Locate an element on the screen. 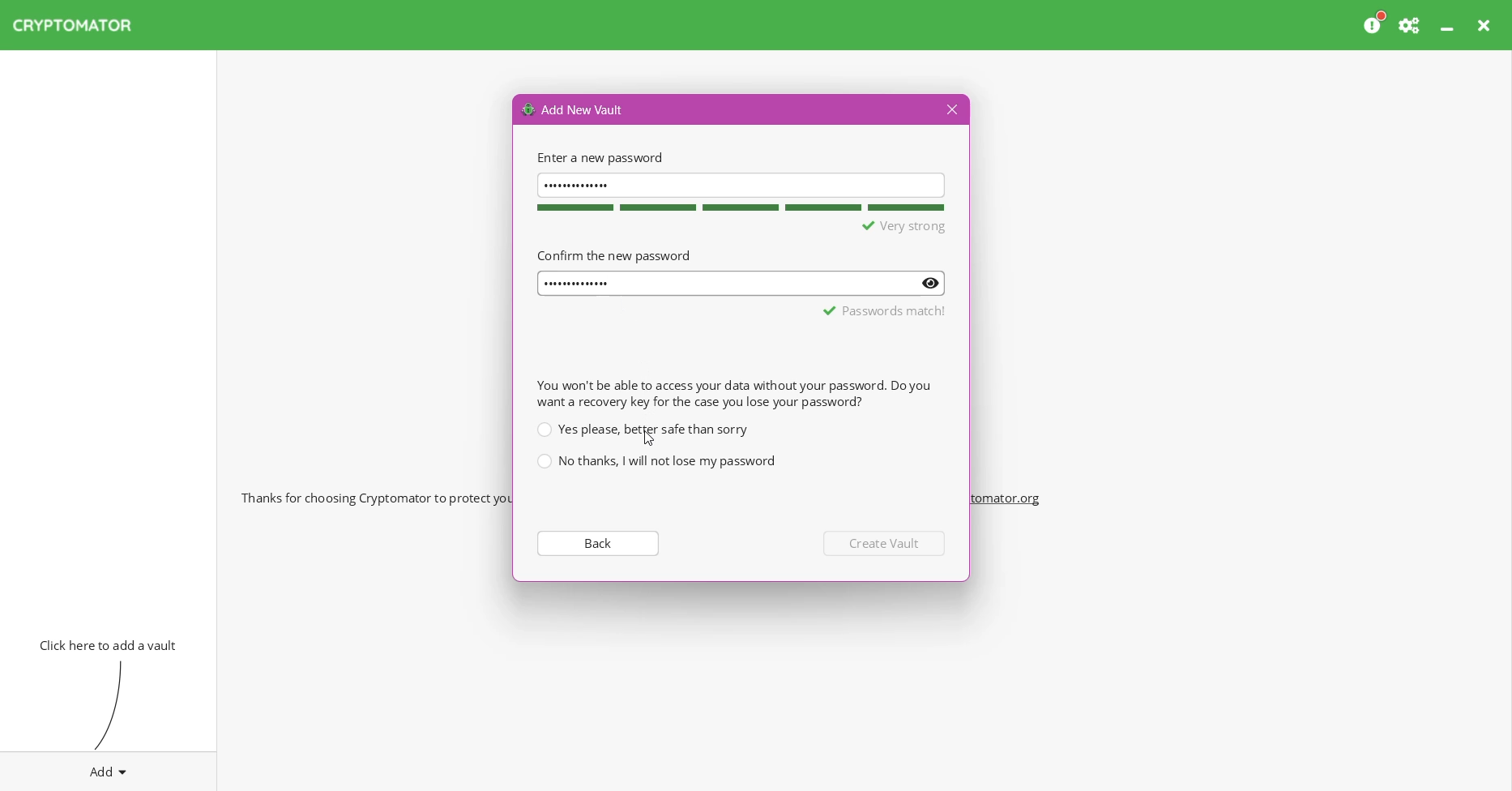 This screenshot has width=1512, height=791. Back is located at coordinates (596, 542).